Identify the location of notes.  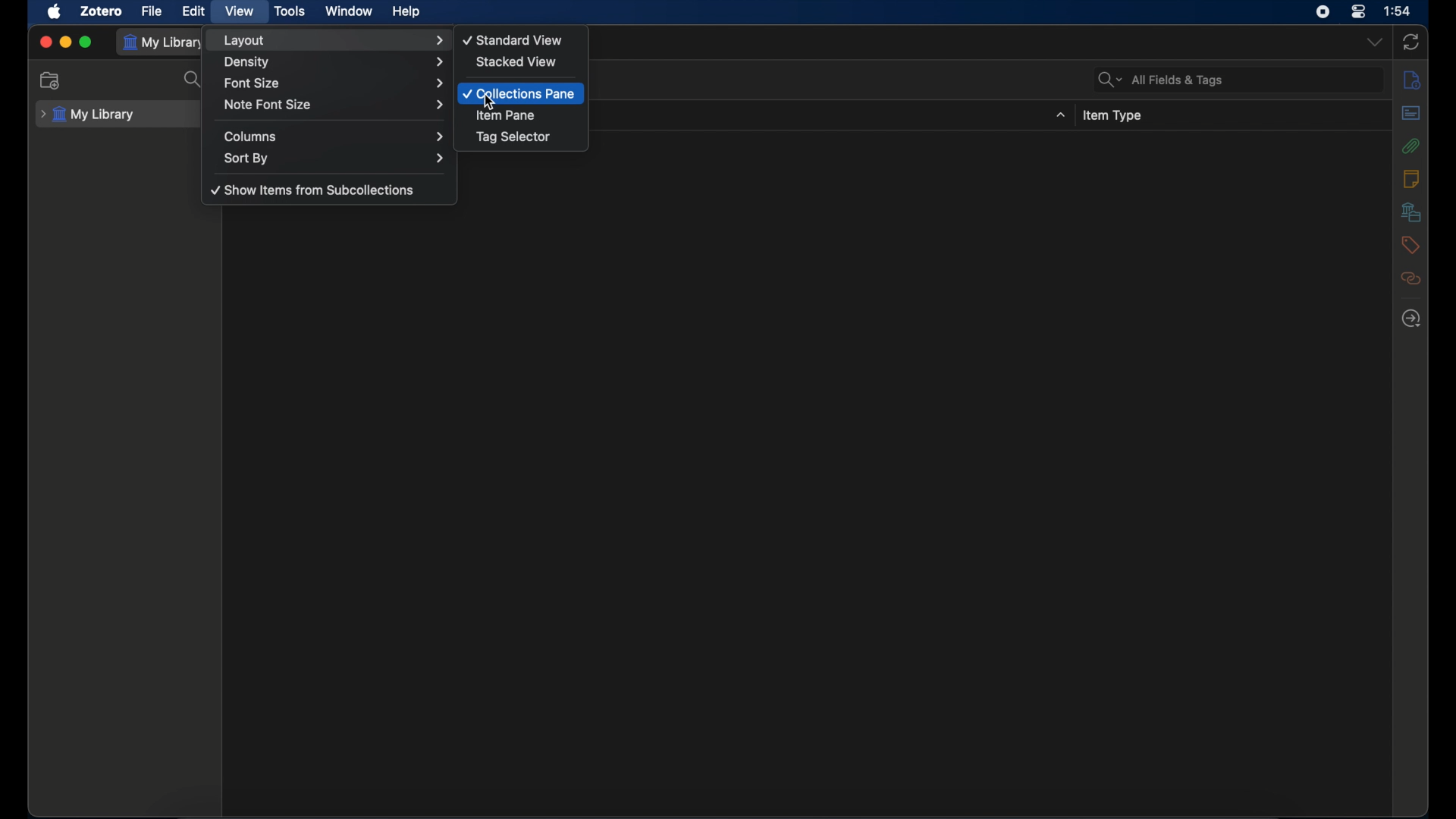
(1411, 180).